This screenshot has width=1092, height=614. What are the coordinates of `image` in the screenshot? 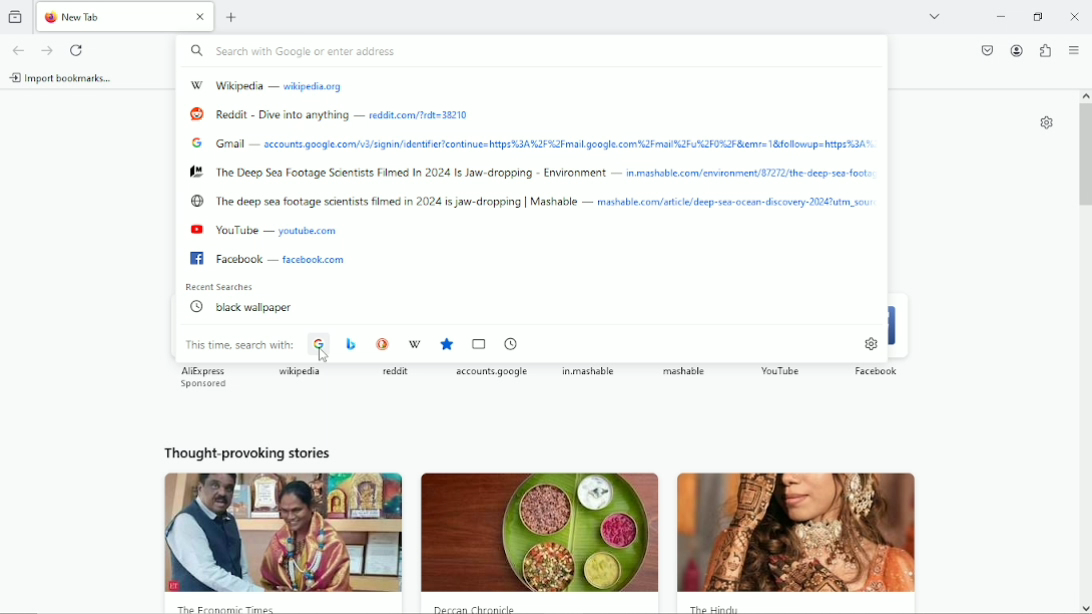 It's located at (540, 532).